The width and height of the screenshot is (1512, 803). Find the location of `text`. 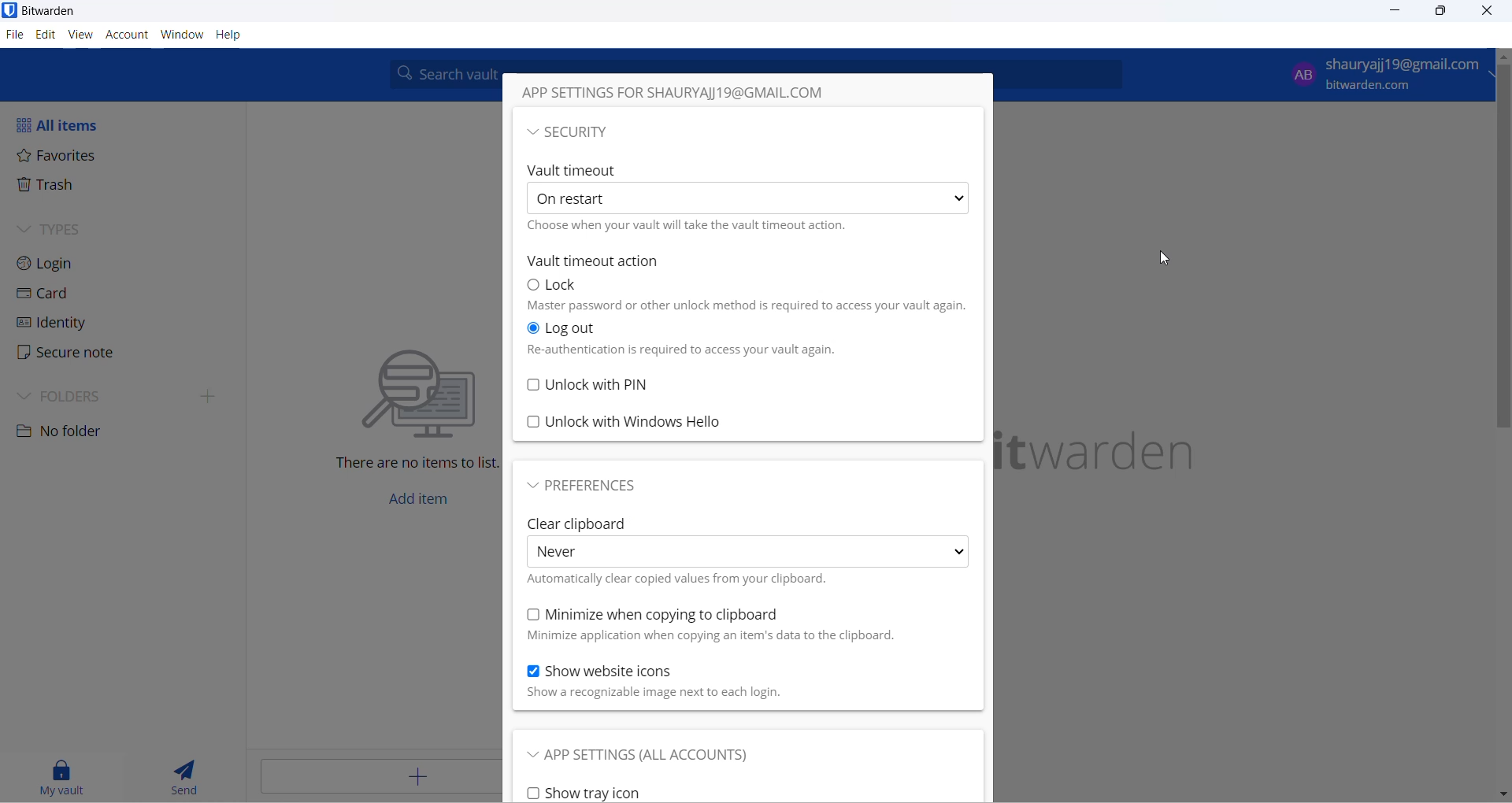

text is located at coordinates (683, 583).